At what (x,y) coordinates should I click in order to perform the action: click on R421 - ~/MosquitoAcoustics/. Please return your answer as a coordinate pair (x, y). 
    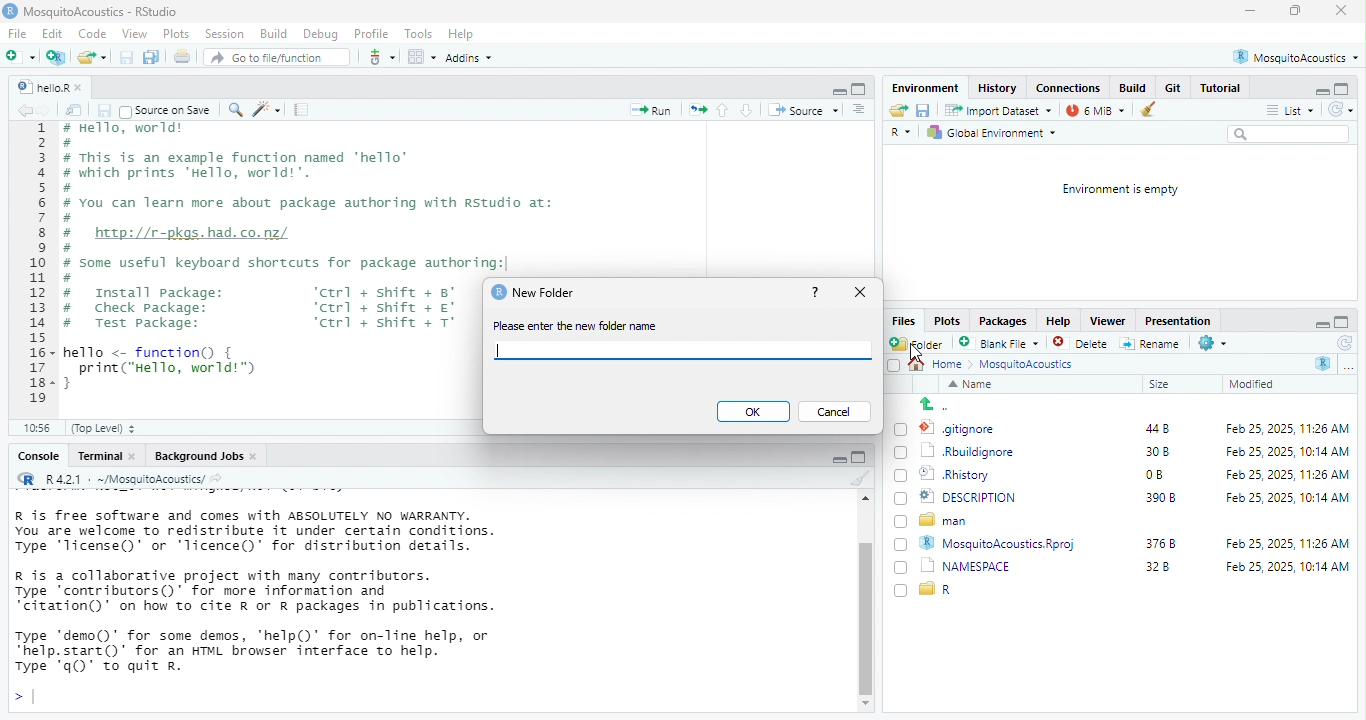
    Looking at the image, I should click on (135, 478).